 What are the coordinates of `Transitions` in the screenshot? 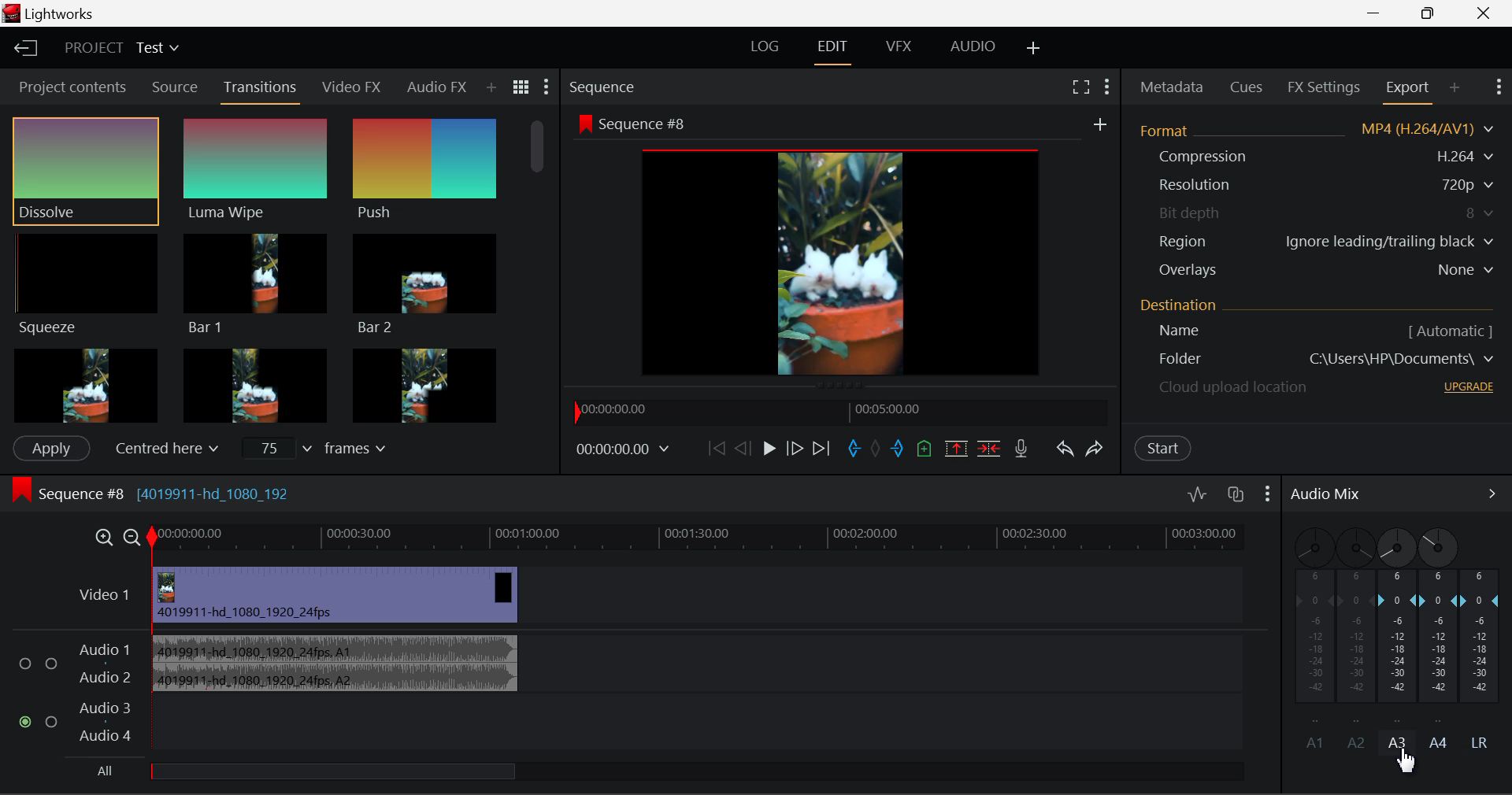 It's located at (258, 91).